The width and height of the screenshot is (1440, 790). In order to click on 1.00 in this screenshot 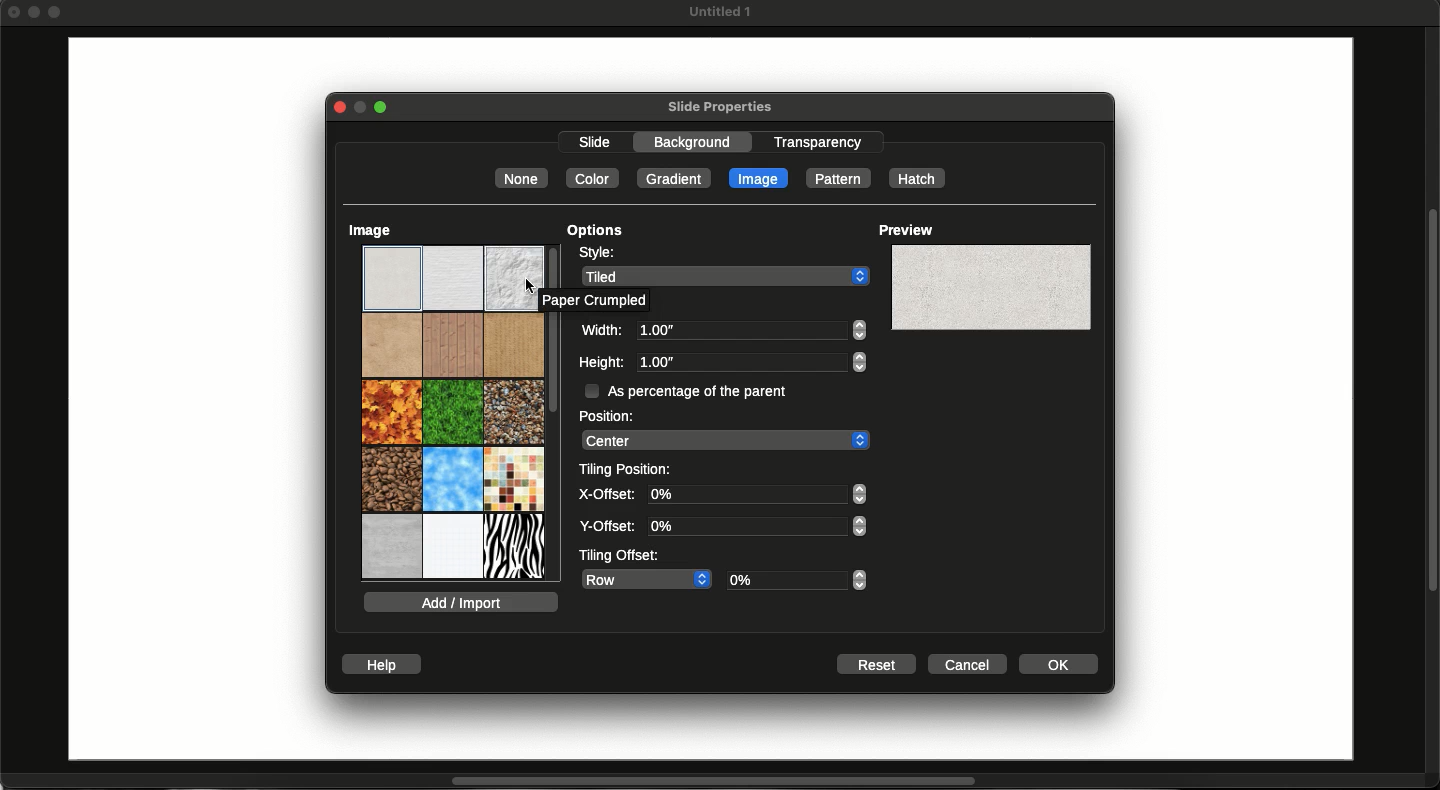, I will do `click(750, 362)`.